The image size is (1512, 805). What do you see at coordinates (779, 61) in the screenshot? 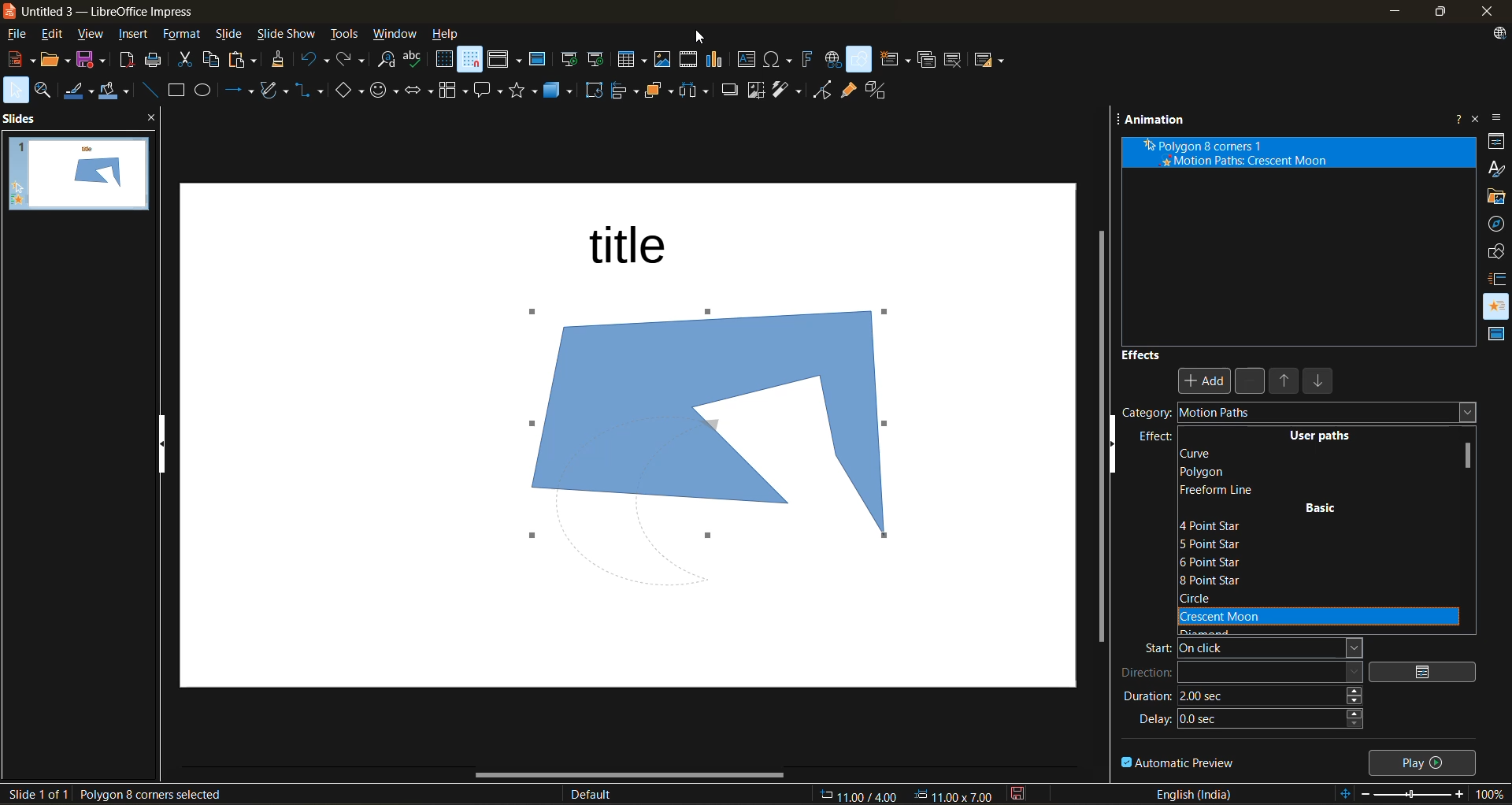
I see `insert special characters` at bounding box center [779, 61].